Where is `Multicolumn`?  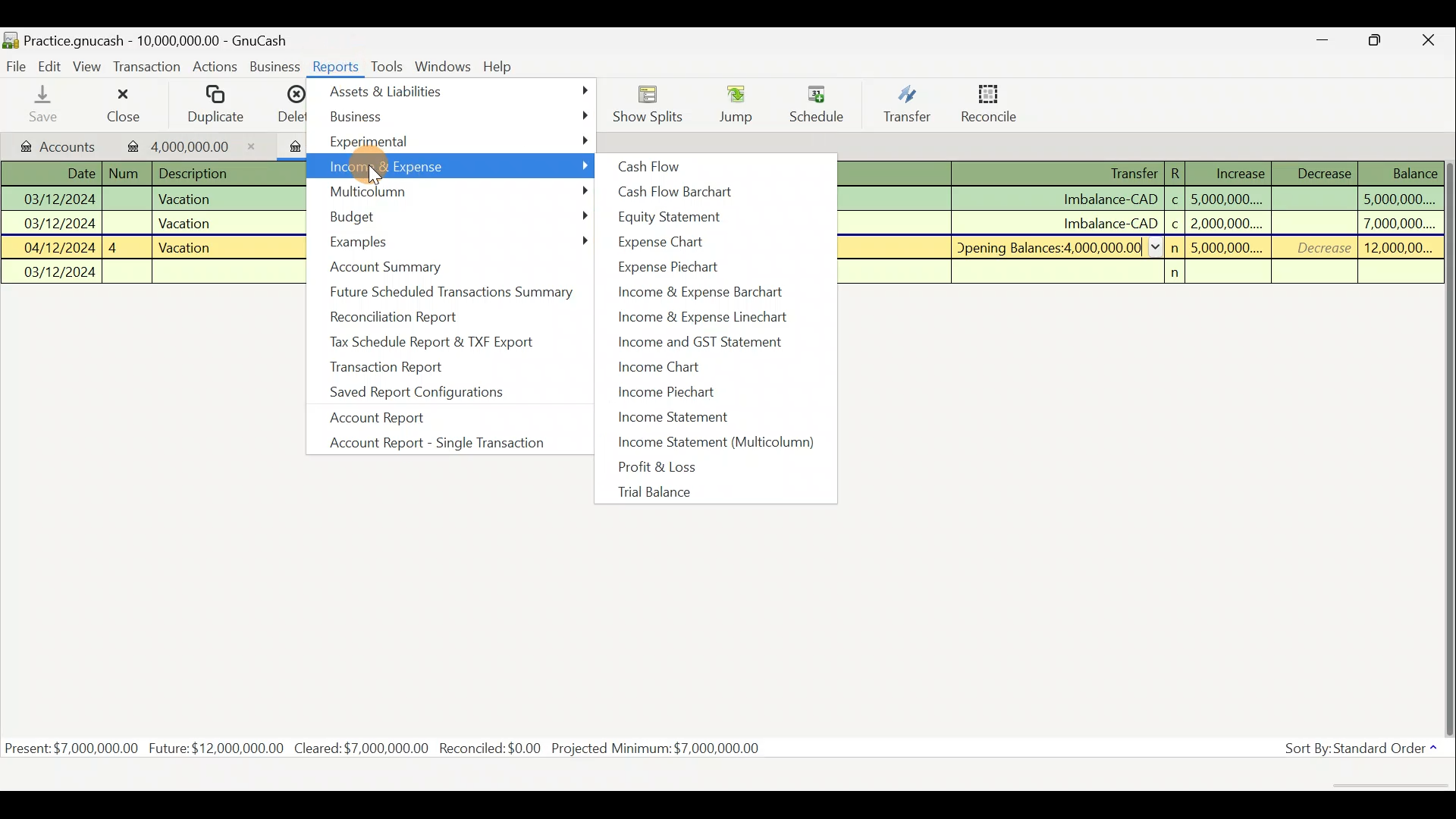
Multicolumn is located at coordinates (457, 189).